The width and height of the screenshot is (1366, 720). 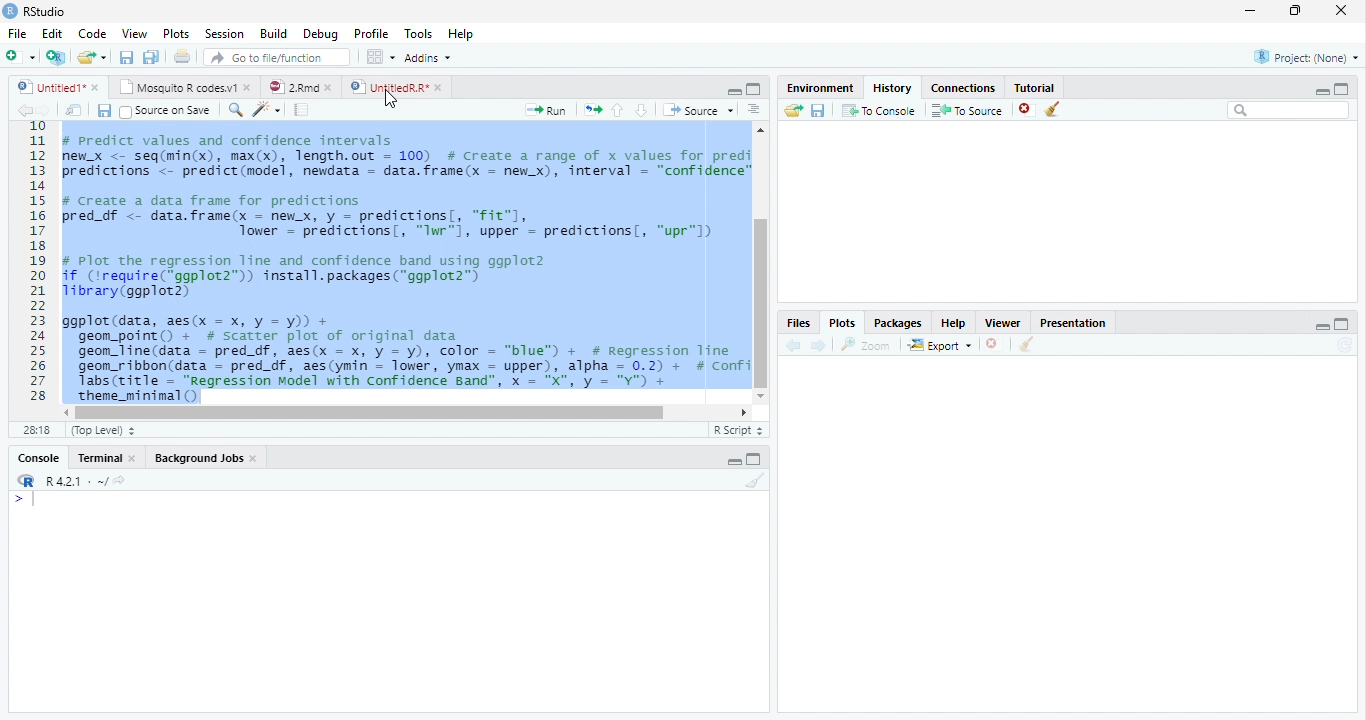 I want to click on Cursor, so click(x=388, y=101).